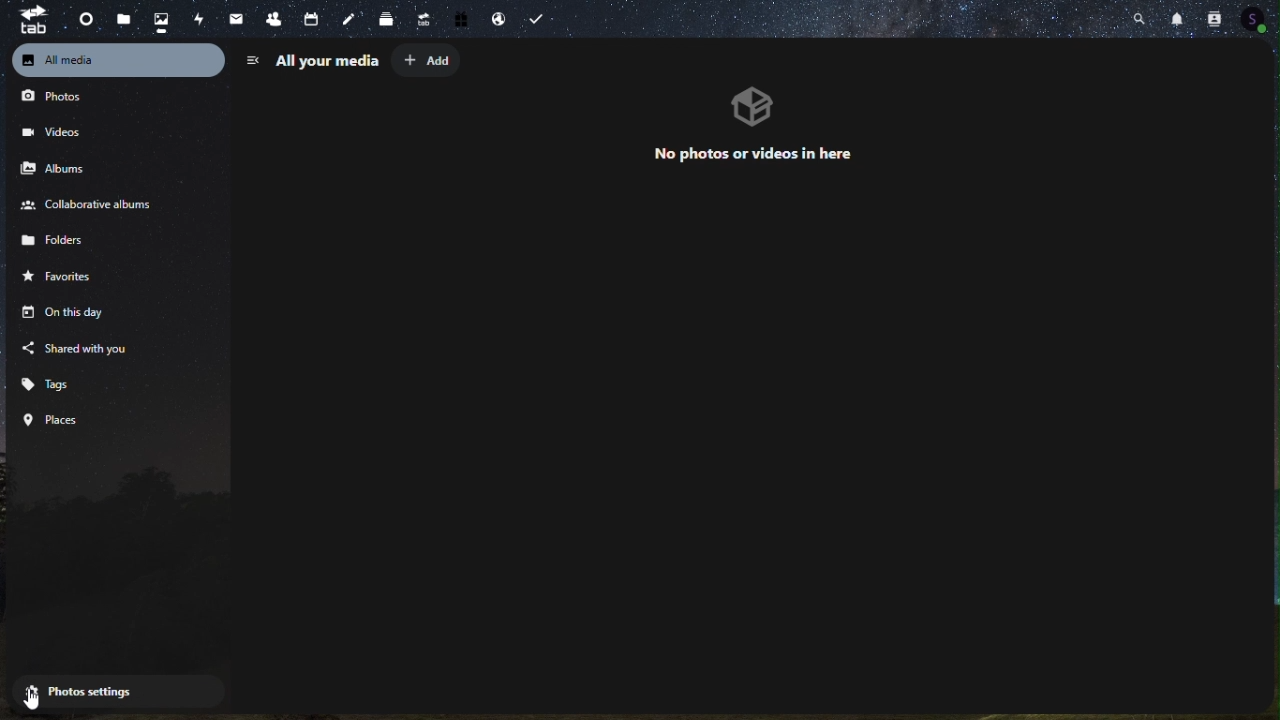 The image size is (1280, 720). Describe the element at coordinates (383, 20) in the screenshot. I see `Deck` at that location.